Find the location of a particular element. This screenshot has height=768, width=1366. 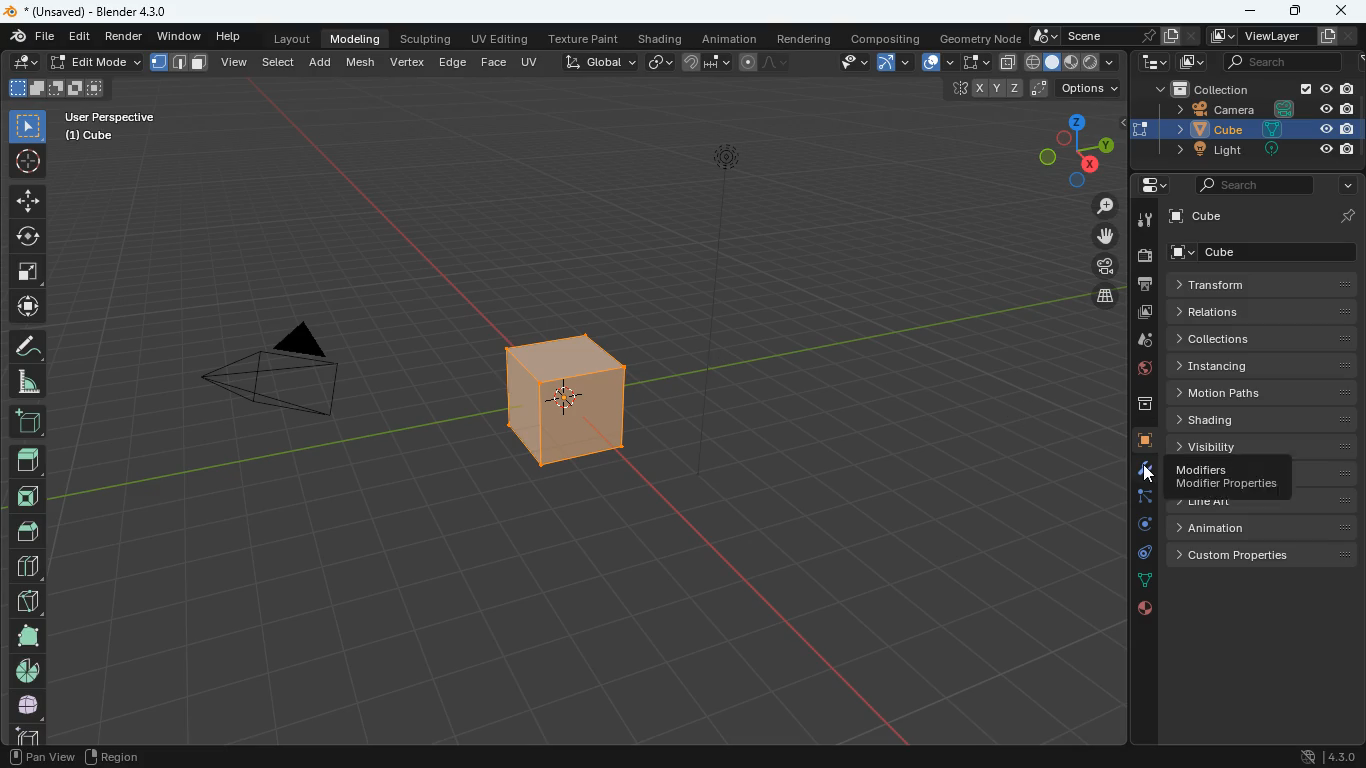

custom properties is located at coordinates (1252, 554).